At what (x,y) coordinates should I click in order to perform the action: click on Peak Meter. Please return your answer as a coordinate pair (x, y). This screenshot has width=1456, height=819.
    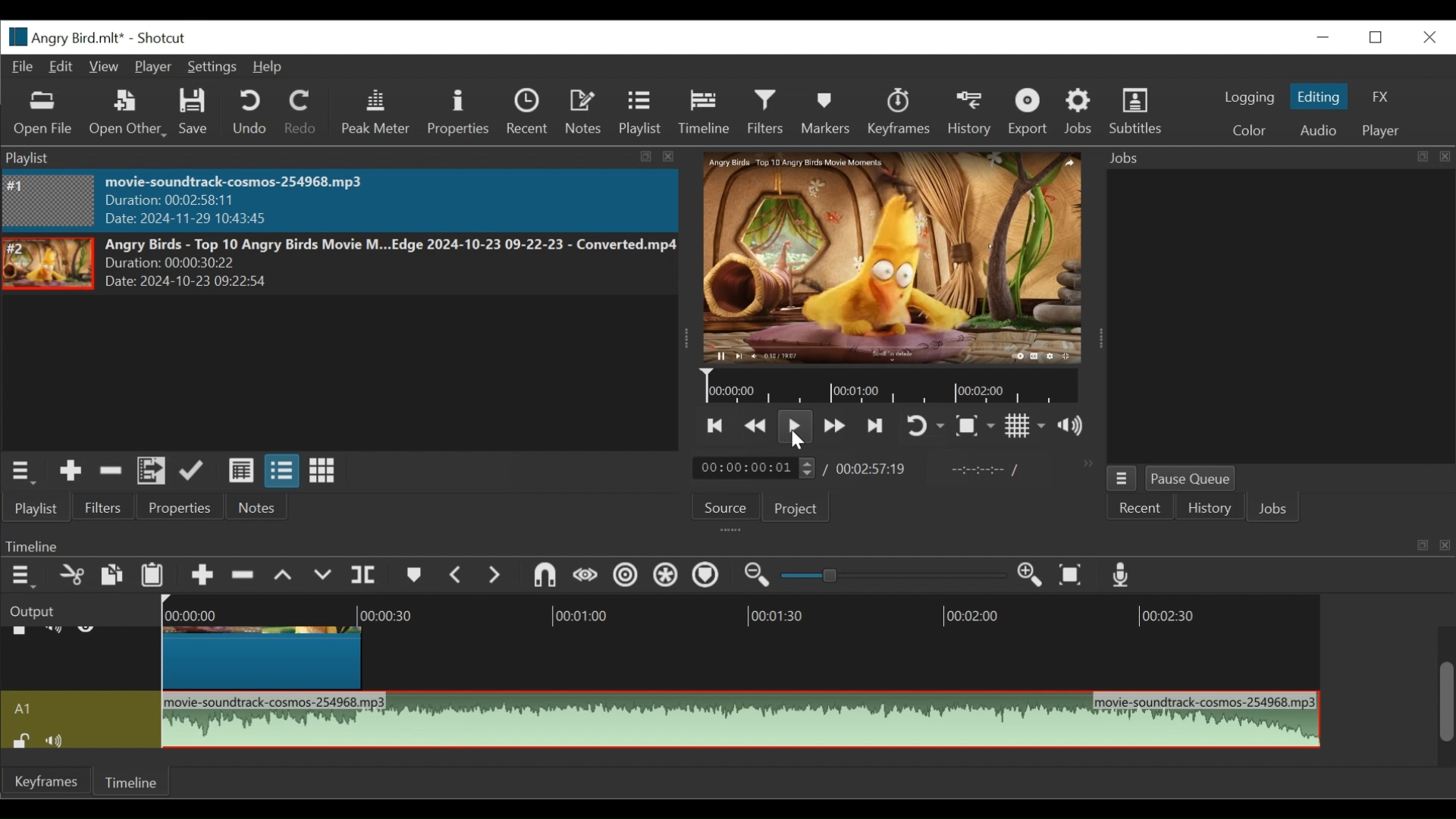
    Looking at the image, I should click on (375, 114).